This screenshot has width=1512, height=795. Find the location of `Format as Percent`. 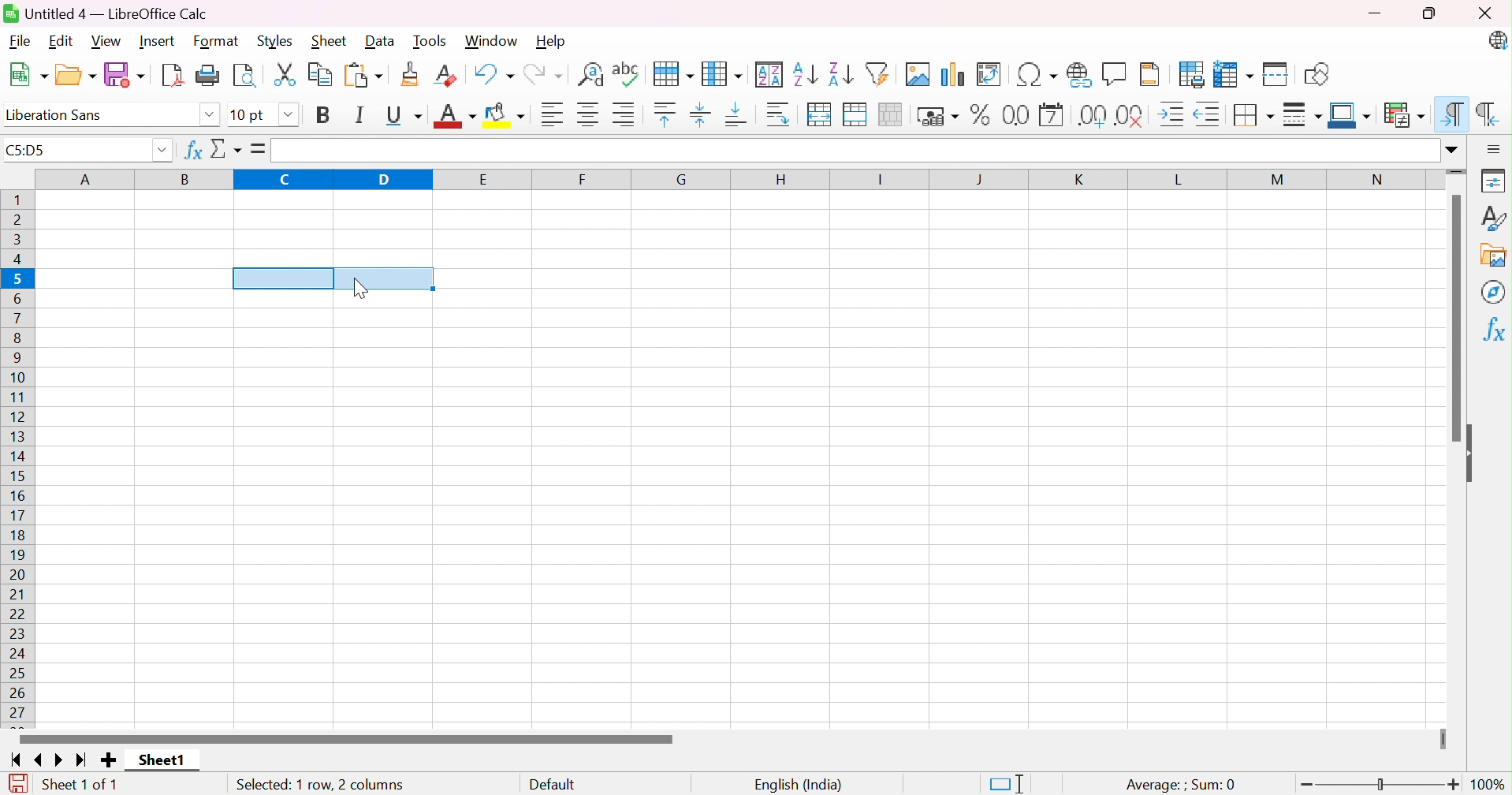

Format as Percent is located at coordinates (978, 116).